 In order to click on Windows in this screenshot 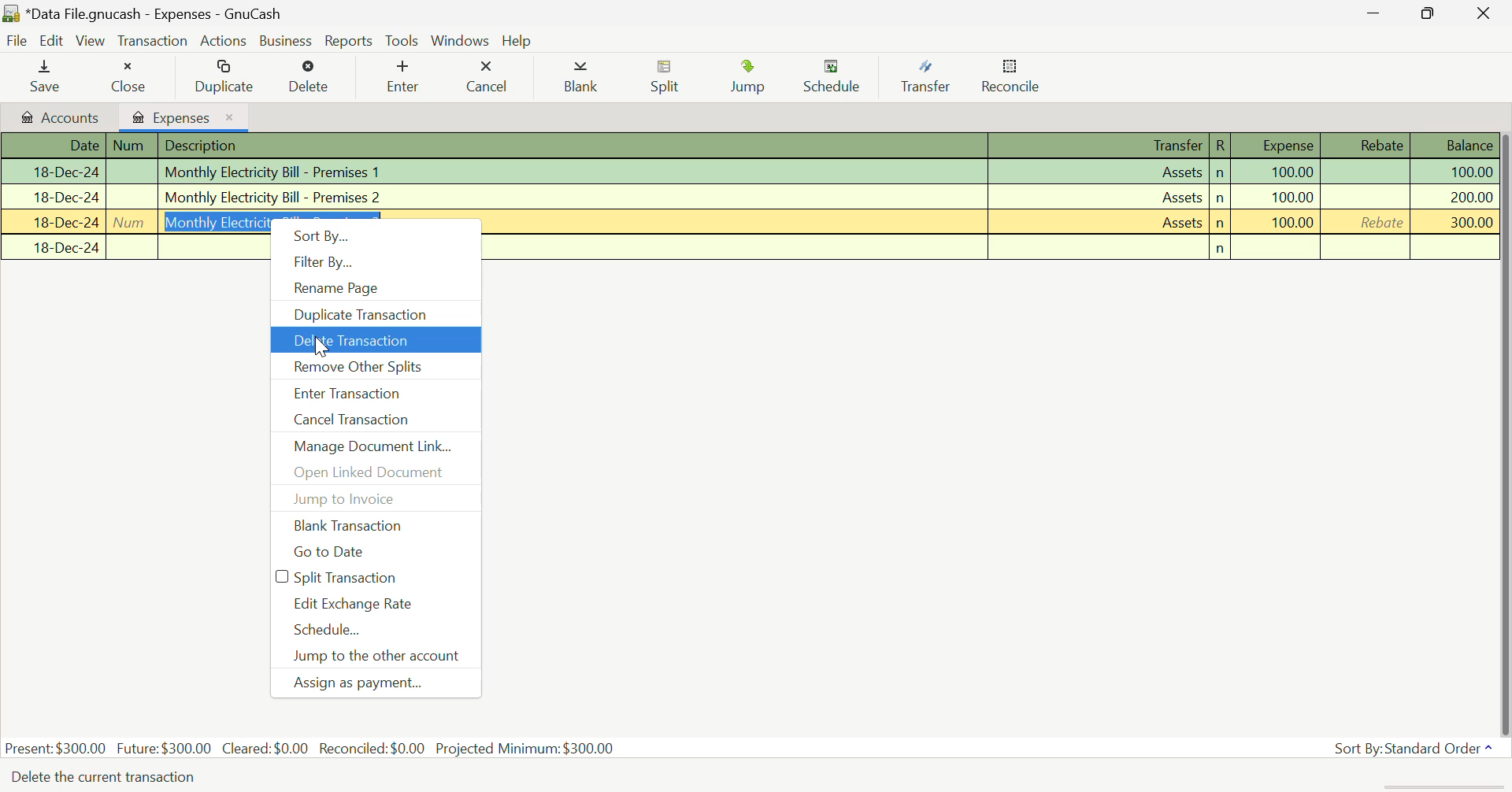, I will do `click(460, 40)`.